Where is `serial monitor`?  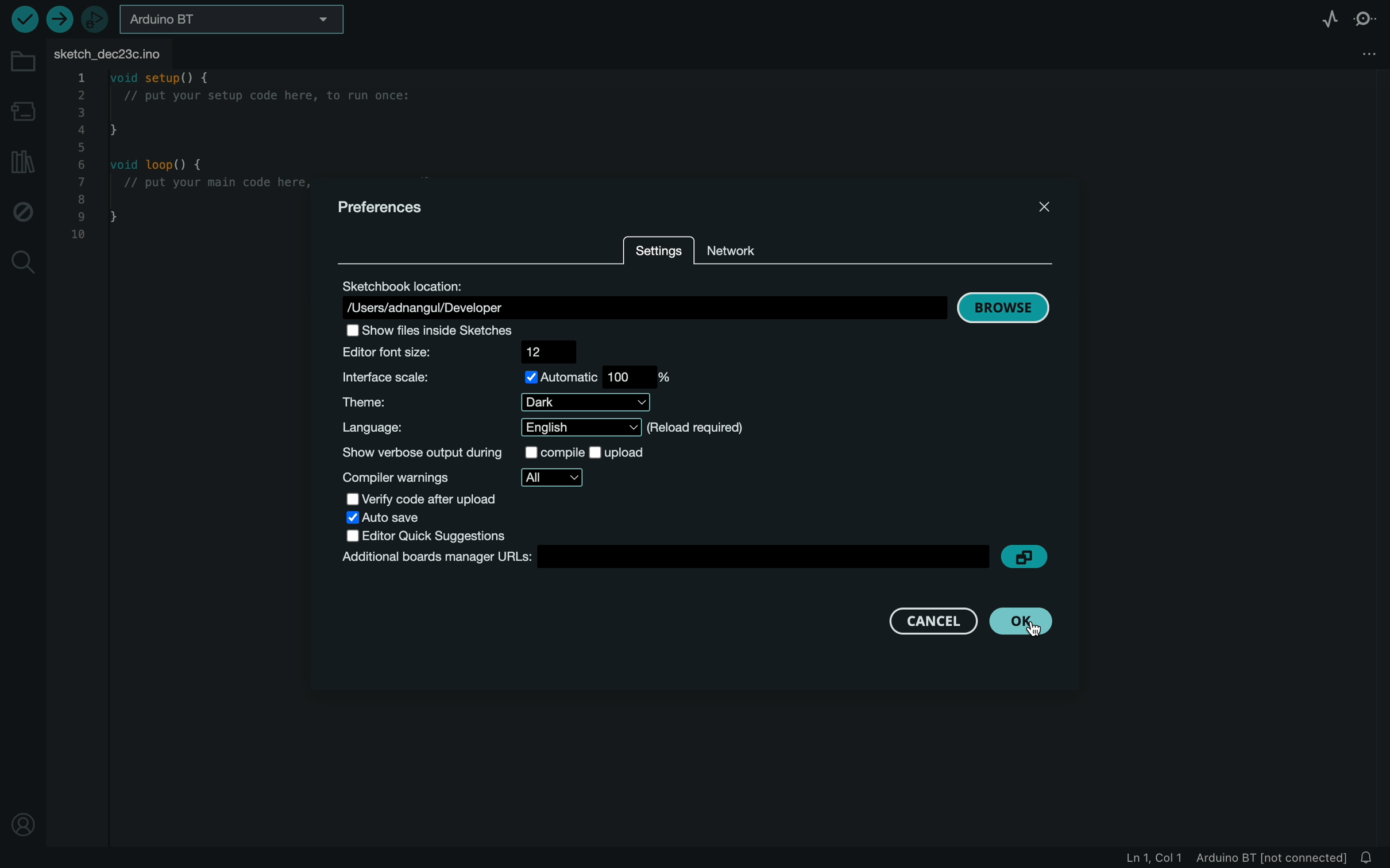
serial monitor is located at coordinates (1368, 18).